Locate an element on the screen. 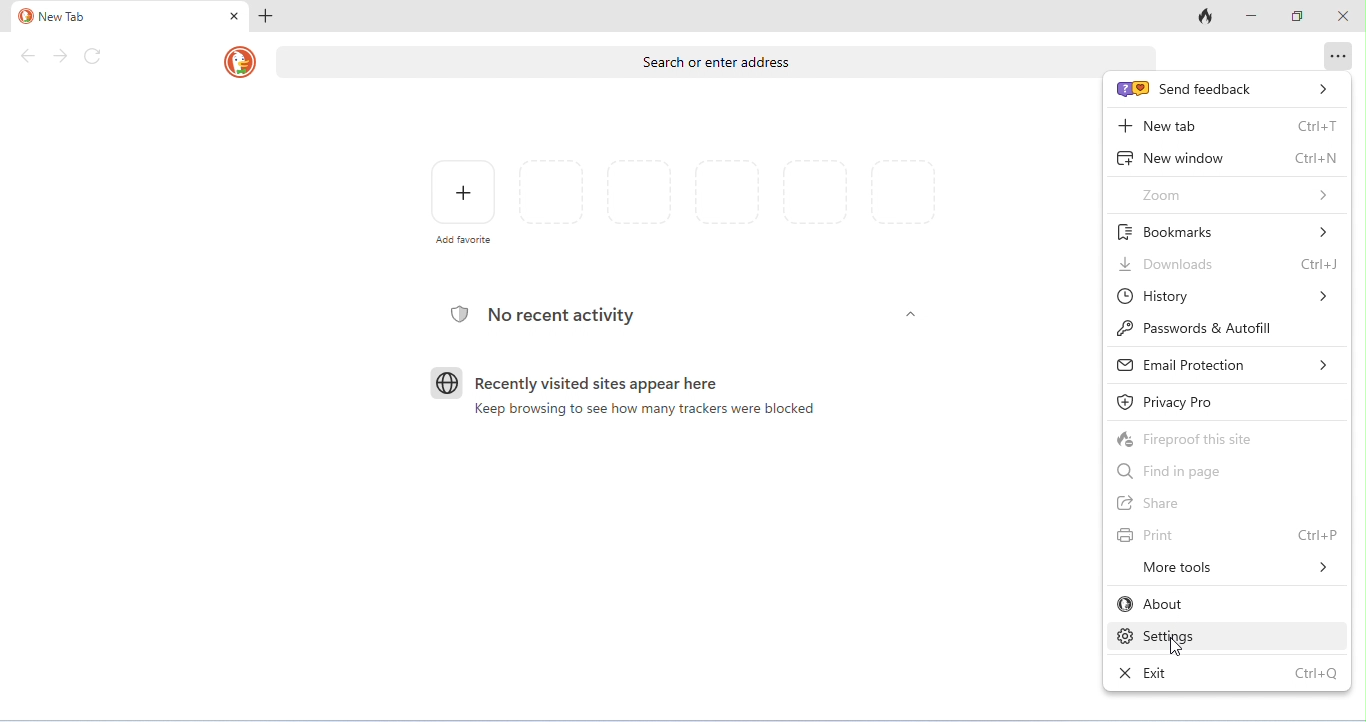 This screenshot has height=722, width=1366. history is located at coordinates (1226, 297).